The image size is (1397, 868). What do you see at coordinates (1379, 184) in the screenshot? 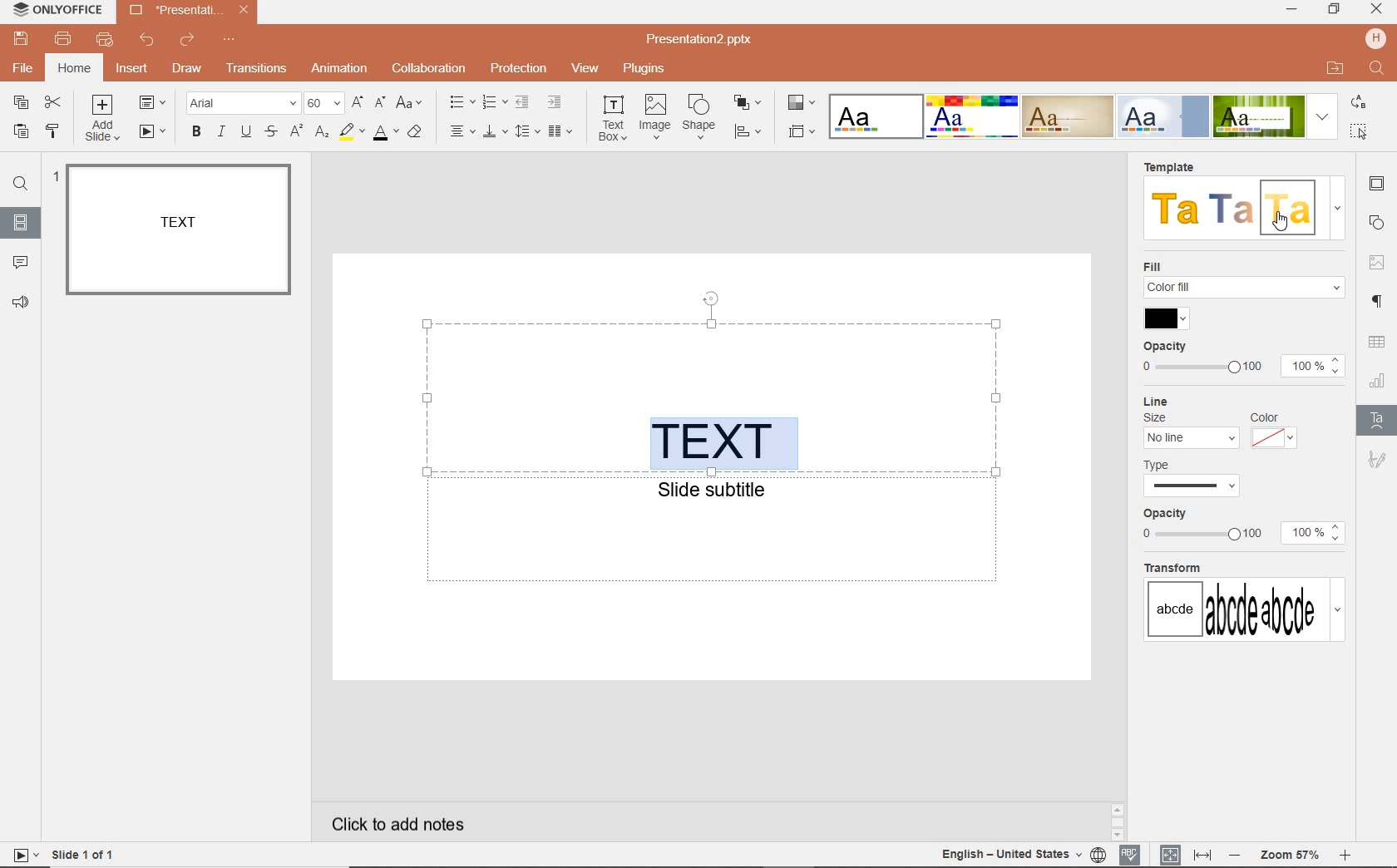
I see `SLIDE SETTINGS` at bounding box center [1379, 184].